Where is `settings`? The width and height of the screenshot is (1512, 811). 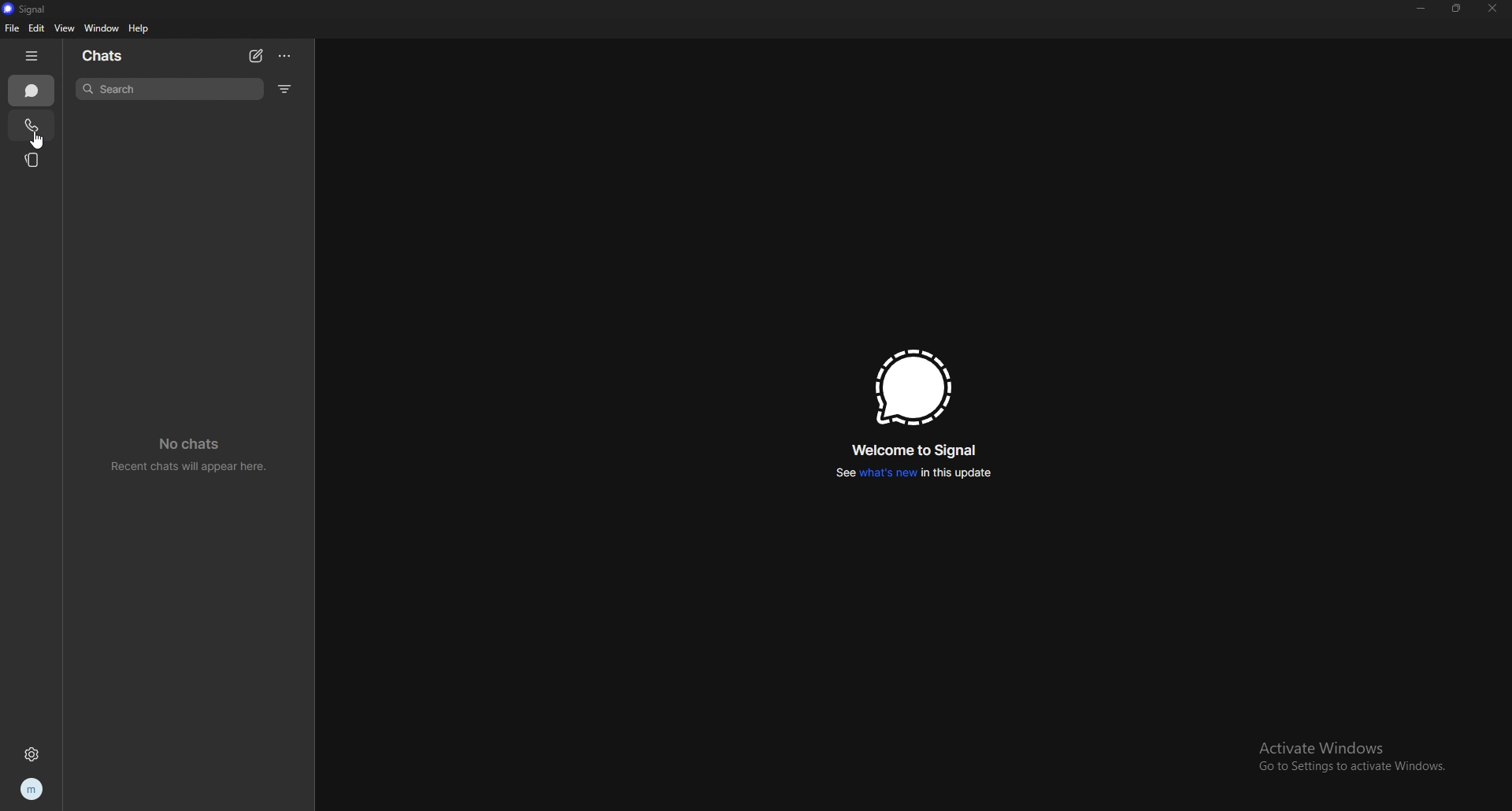 settings is located at coordinates (31, 754).